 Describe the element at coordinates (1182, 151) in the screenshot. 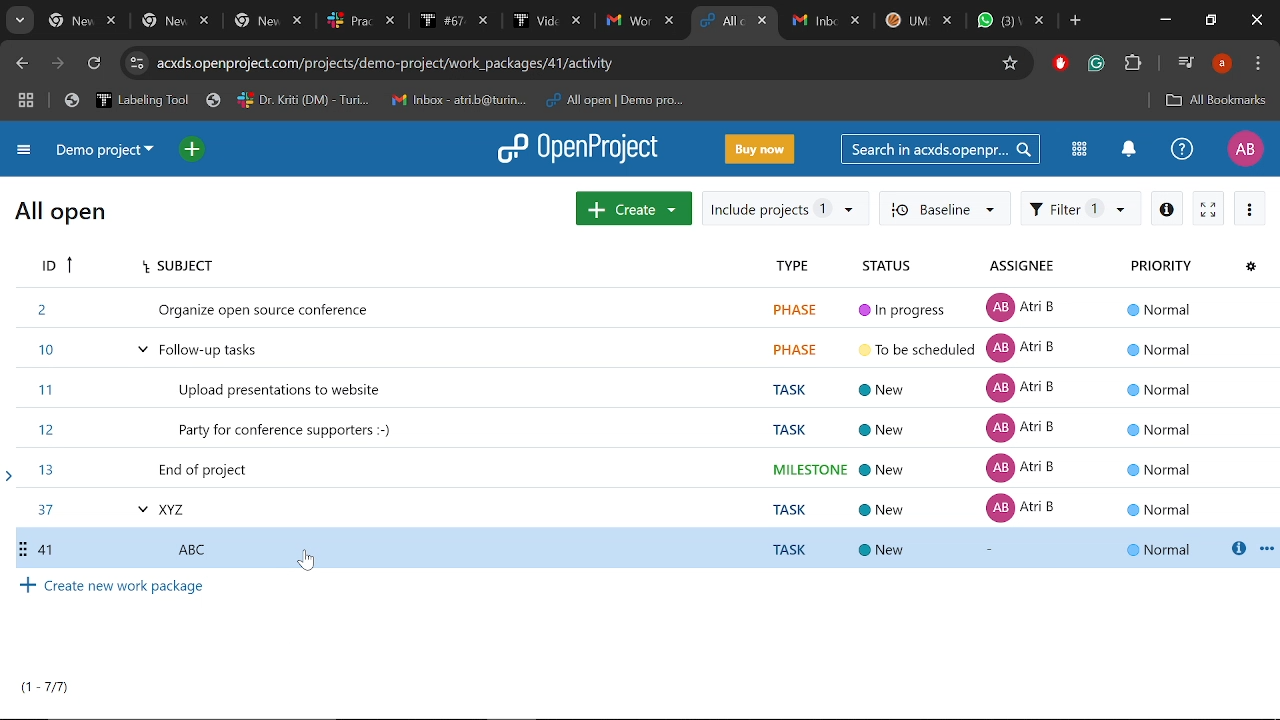

I see `Help` at that location.